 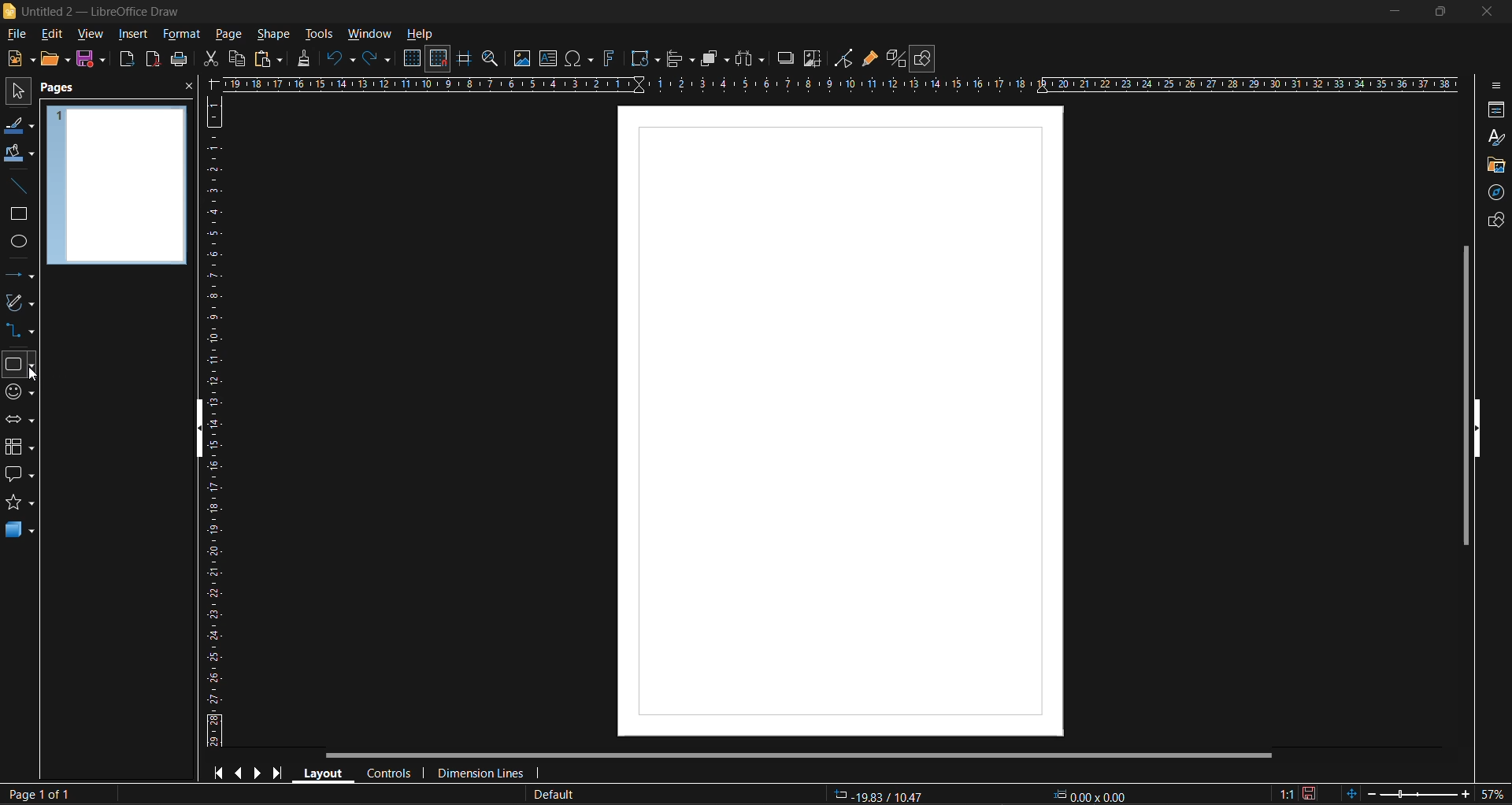 What do you see at coordinates (20, 243) in the screenshot?
I see `ellipse` at bounding box center [20, 243].